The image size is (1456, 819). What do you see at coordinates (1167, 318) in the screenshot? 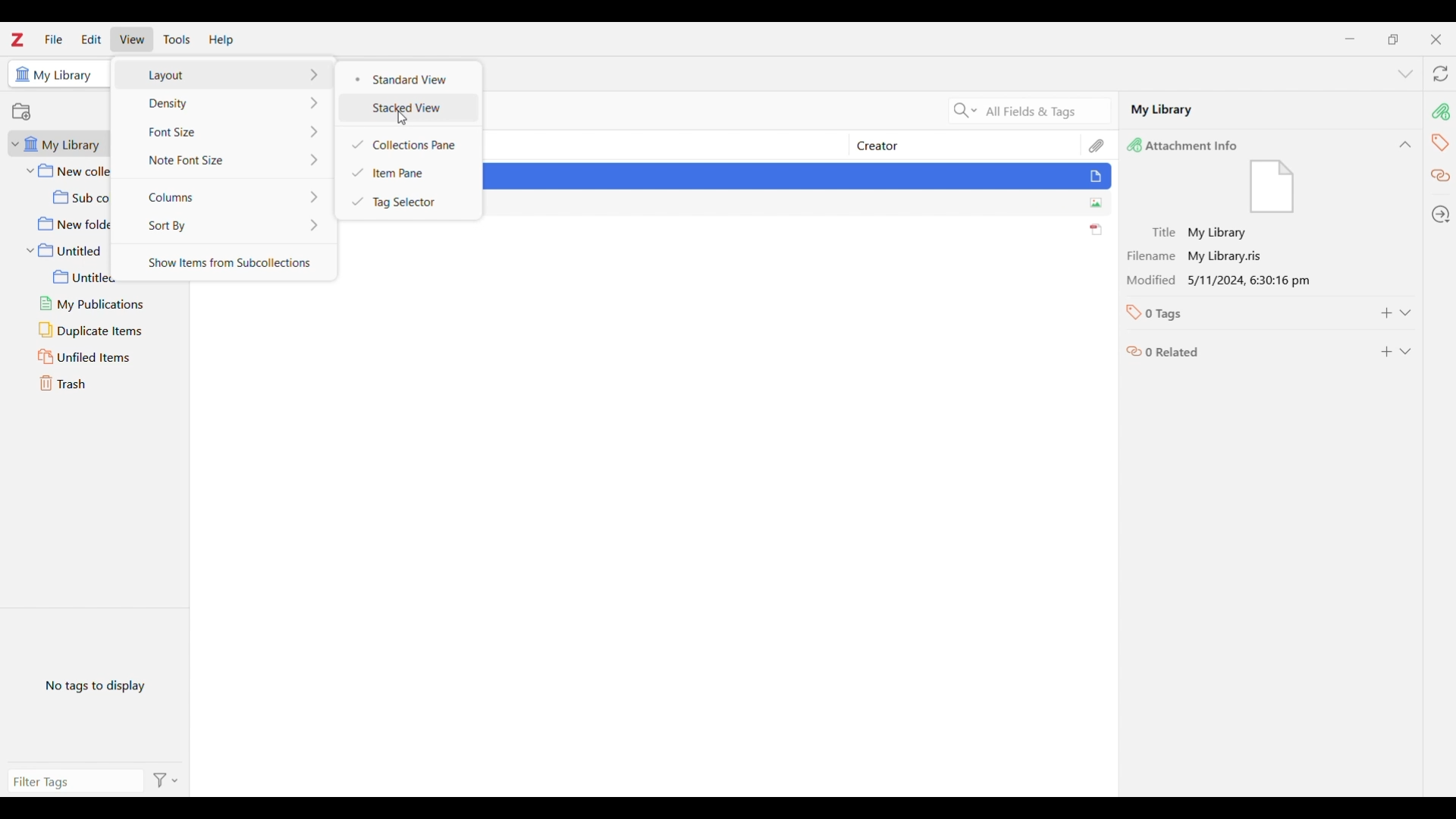
I see `0 tags` at bounding box center [1167, 318].